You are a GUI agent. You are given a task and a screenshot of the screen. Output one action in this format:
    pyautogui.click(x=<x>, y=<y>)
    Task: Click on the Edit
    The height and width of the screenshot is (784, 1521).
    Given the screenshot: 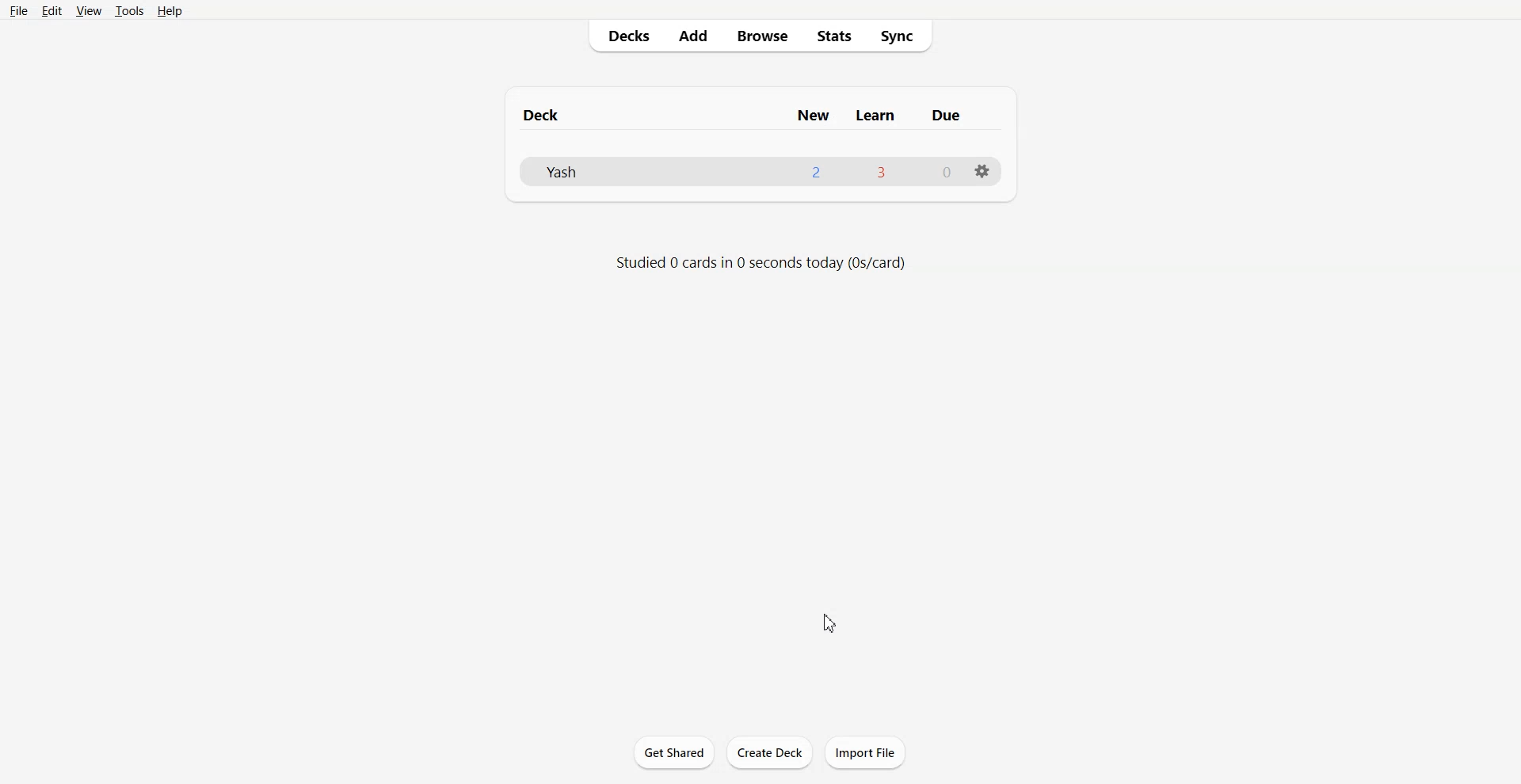 What is the action you would take?
    pyautogui.click(x=51, y=10)
    